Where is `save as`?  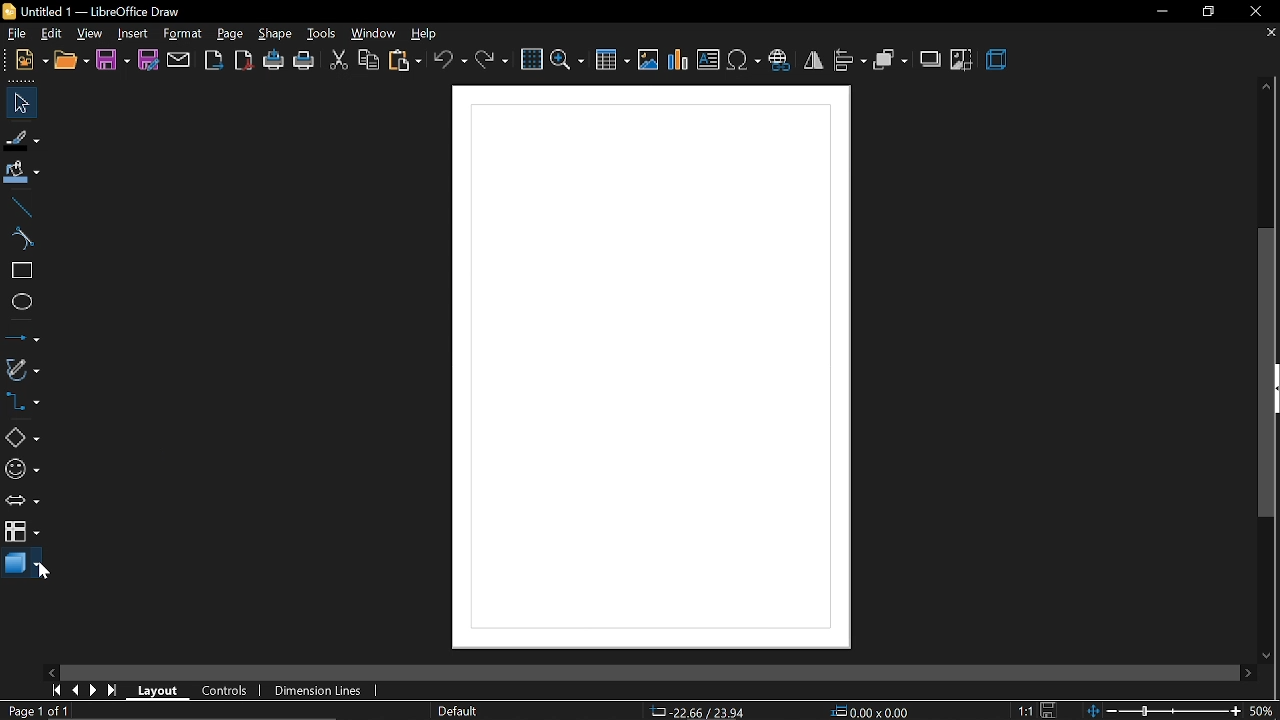 save as is located at coordinates (149, 62).